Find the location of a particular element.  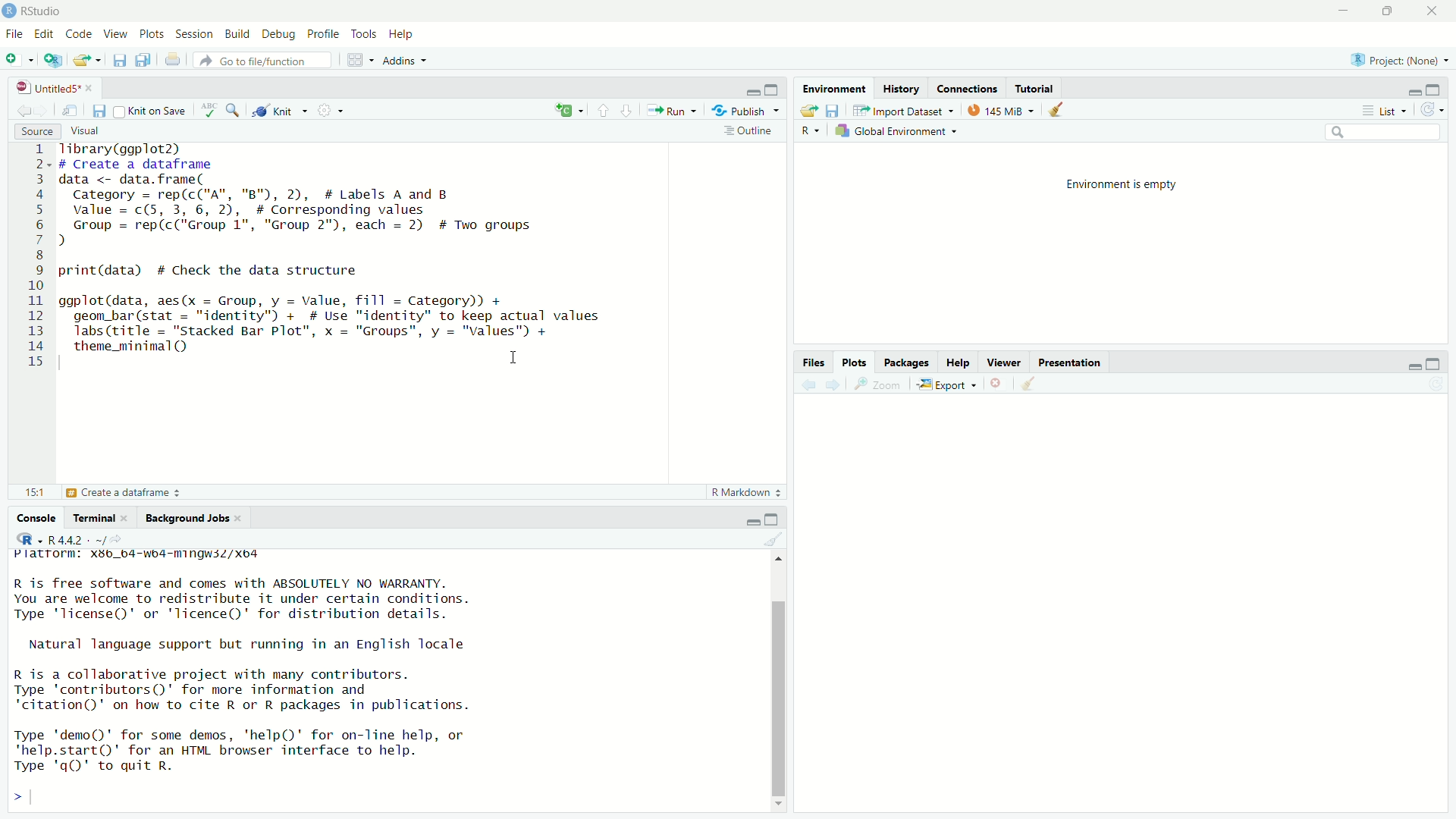

Help is located at coordinates (400, 34).